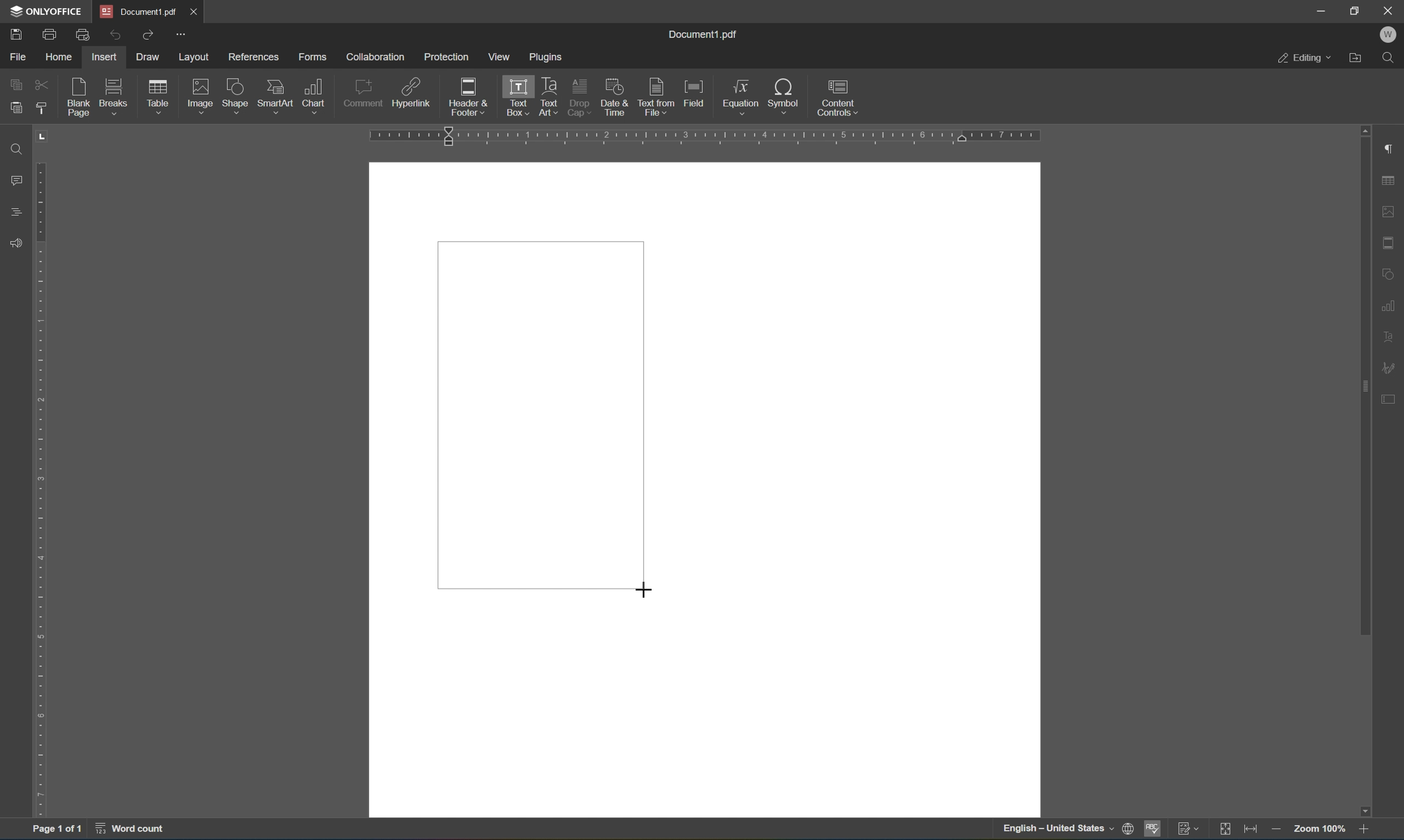 Image resolution: width=1404 pixels, height=840 pixels. Describe the element at coordinates (1189, 830) in the screenshot. I see `track changes` at that location.